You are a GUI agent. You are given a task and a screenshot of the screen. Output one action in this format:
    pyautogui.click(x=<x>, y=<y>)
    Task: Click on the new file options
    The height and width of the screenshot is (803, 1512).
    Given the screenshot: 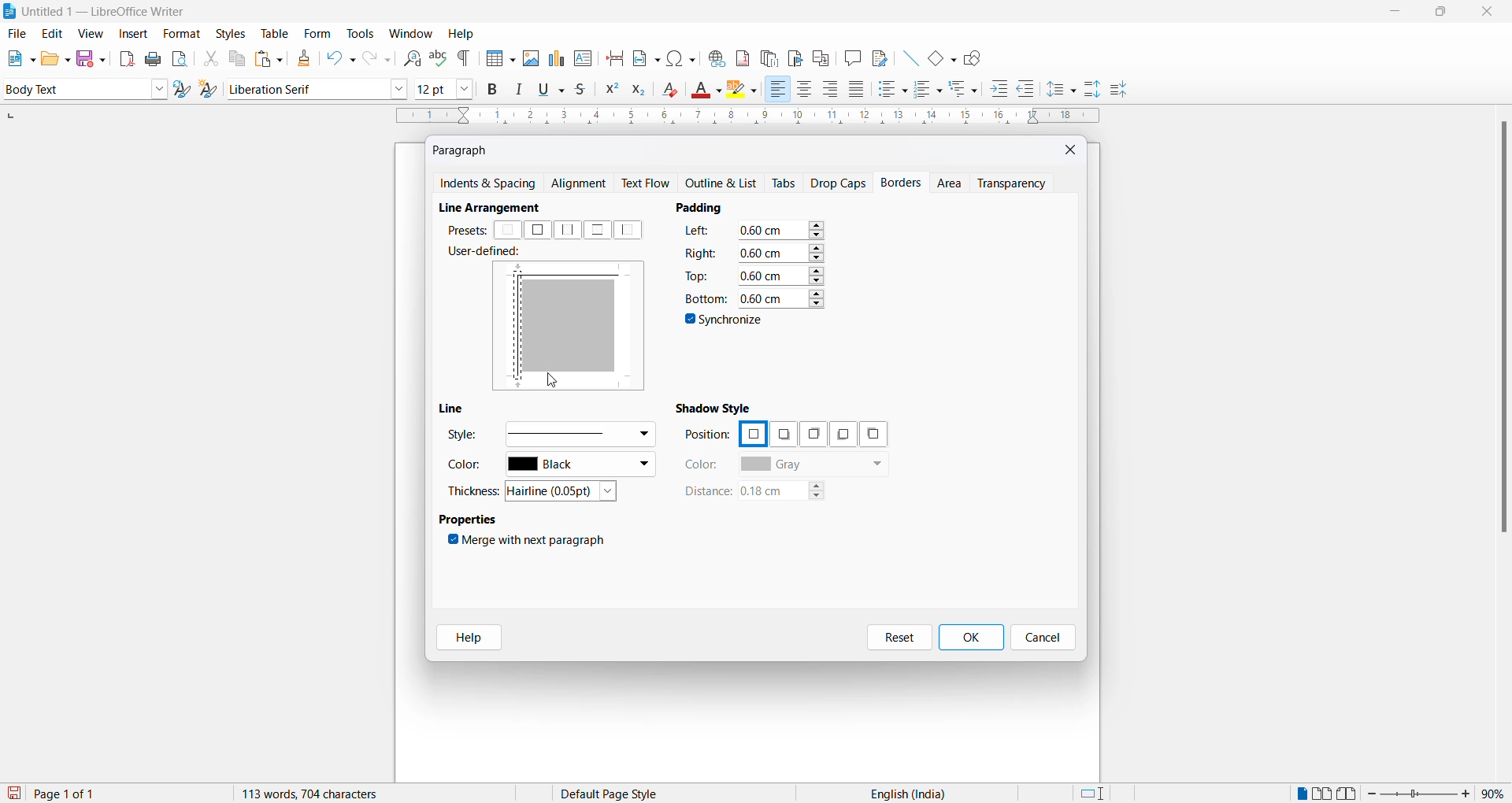 What is the action you would take?
    pyautogui.click(x=17, y=58)
    